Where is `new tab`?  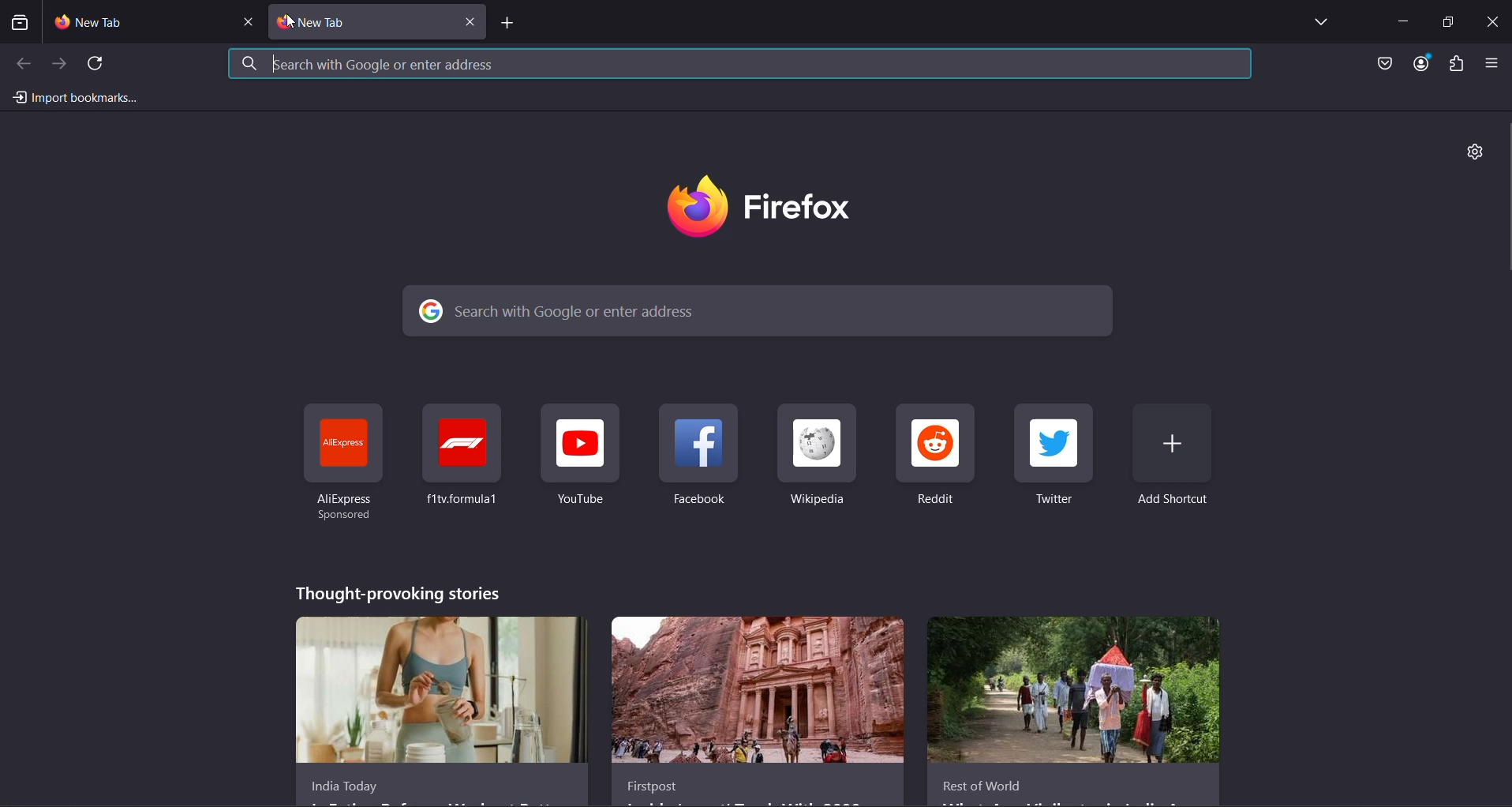
new tab is located at coordinates (140, 23).